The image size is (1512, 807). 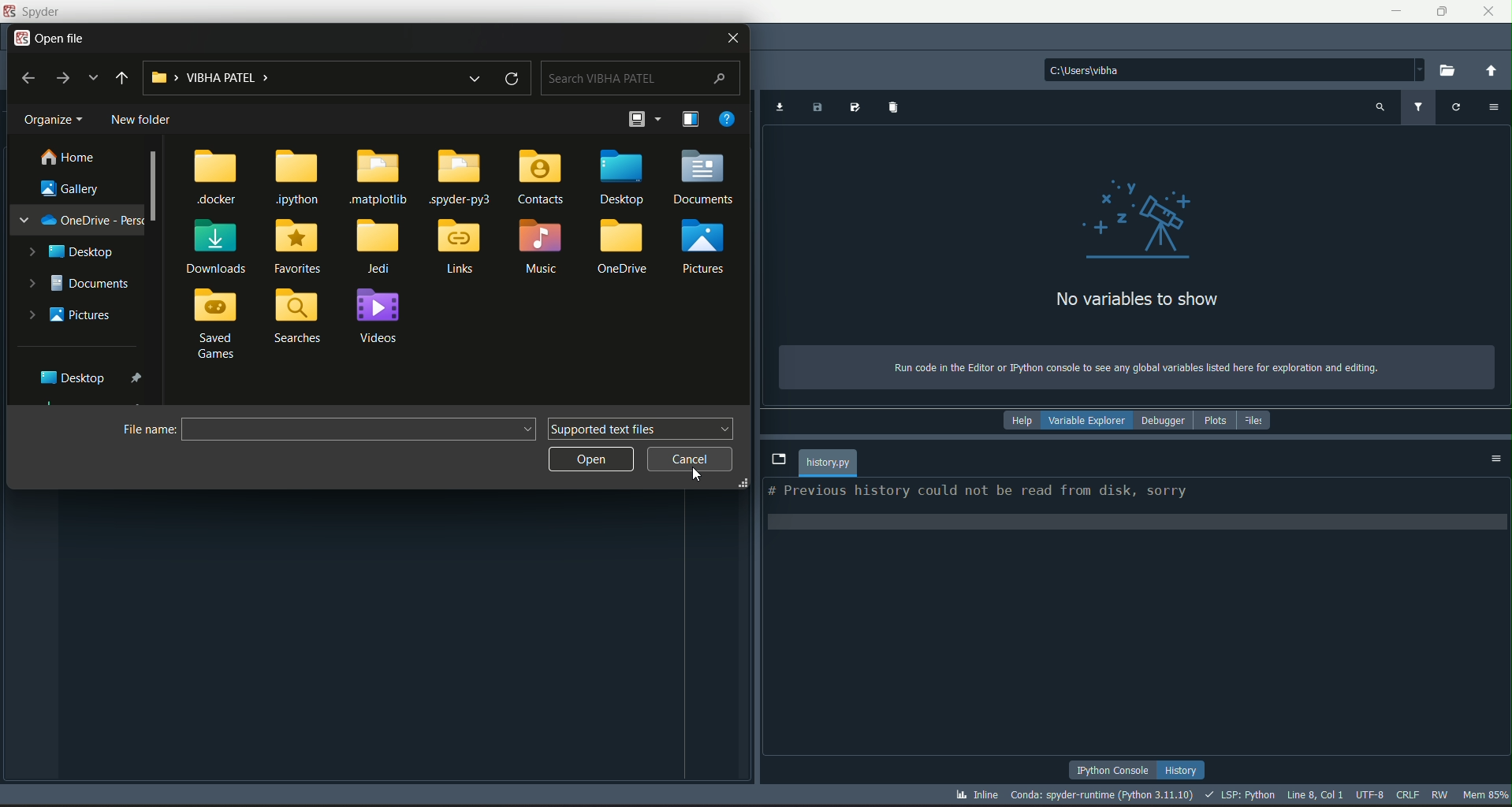 I want to click on debugger, so click(x=1164, y=419).